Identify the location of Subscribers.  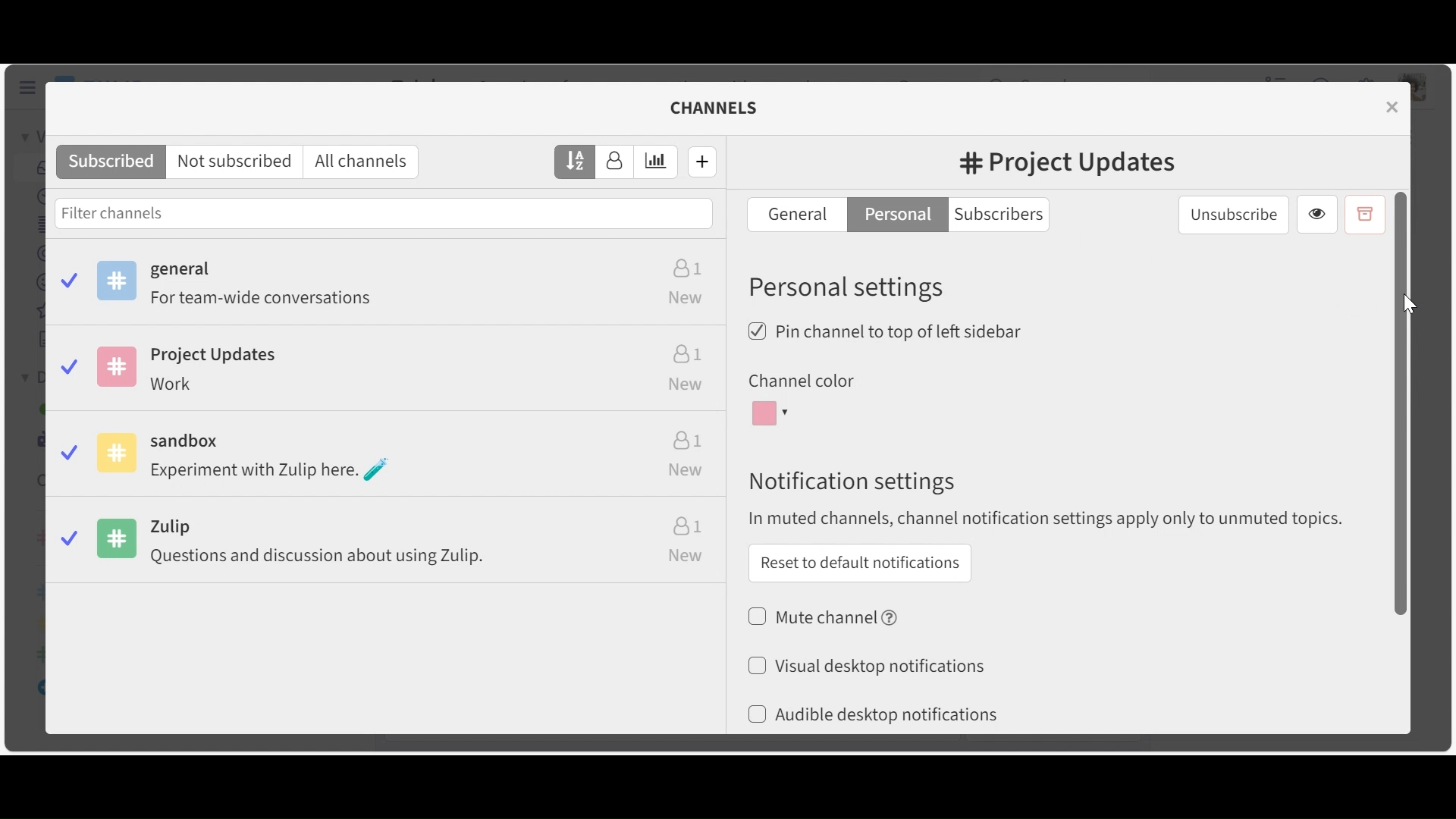
(1004, 215).